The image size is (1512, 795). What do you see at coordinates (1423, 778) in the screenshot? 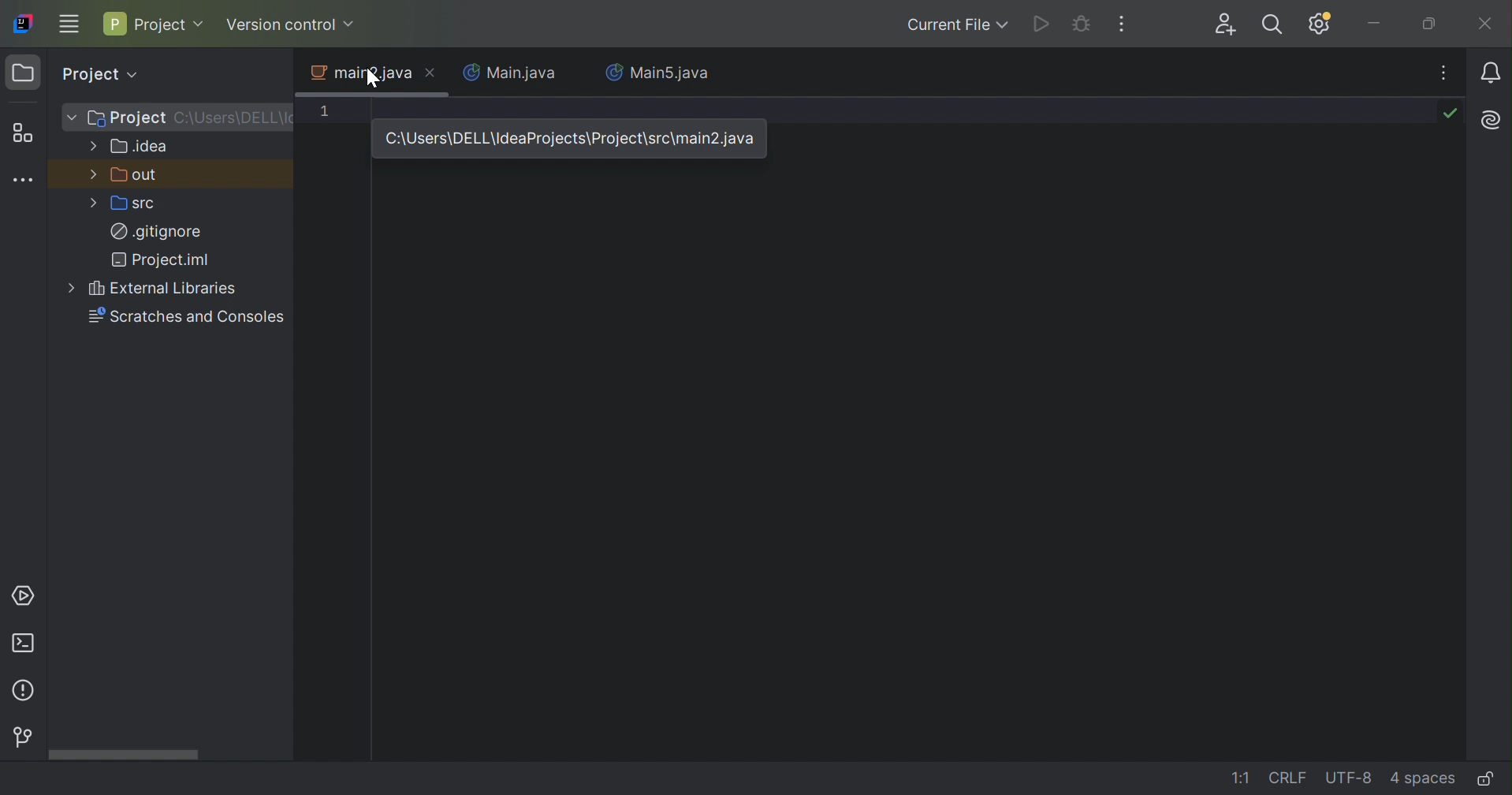
I see `4 SPACES` at bounding box center [1423, 778].